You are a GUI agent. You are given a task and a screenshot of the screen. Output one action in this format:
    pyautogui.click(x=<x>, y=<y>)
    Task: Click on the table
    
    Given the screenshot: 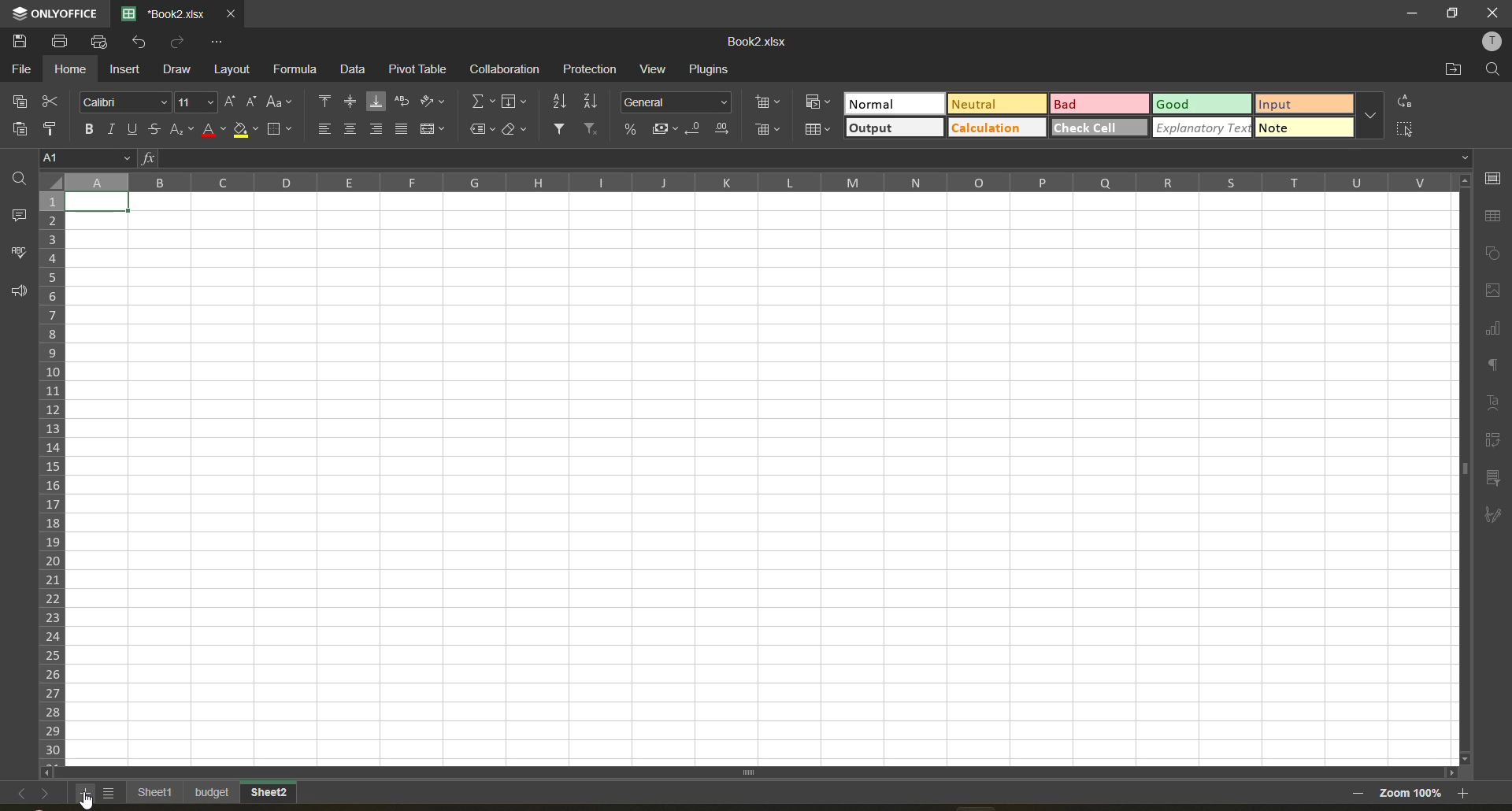 What is the action you would take?
    pyautogui.click(x=1493, y=218)
    